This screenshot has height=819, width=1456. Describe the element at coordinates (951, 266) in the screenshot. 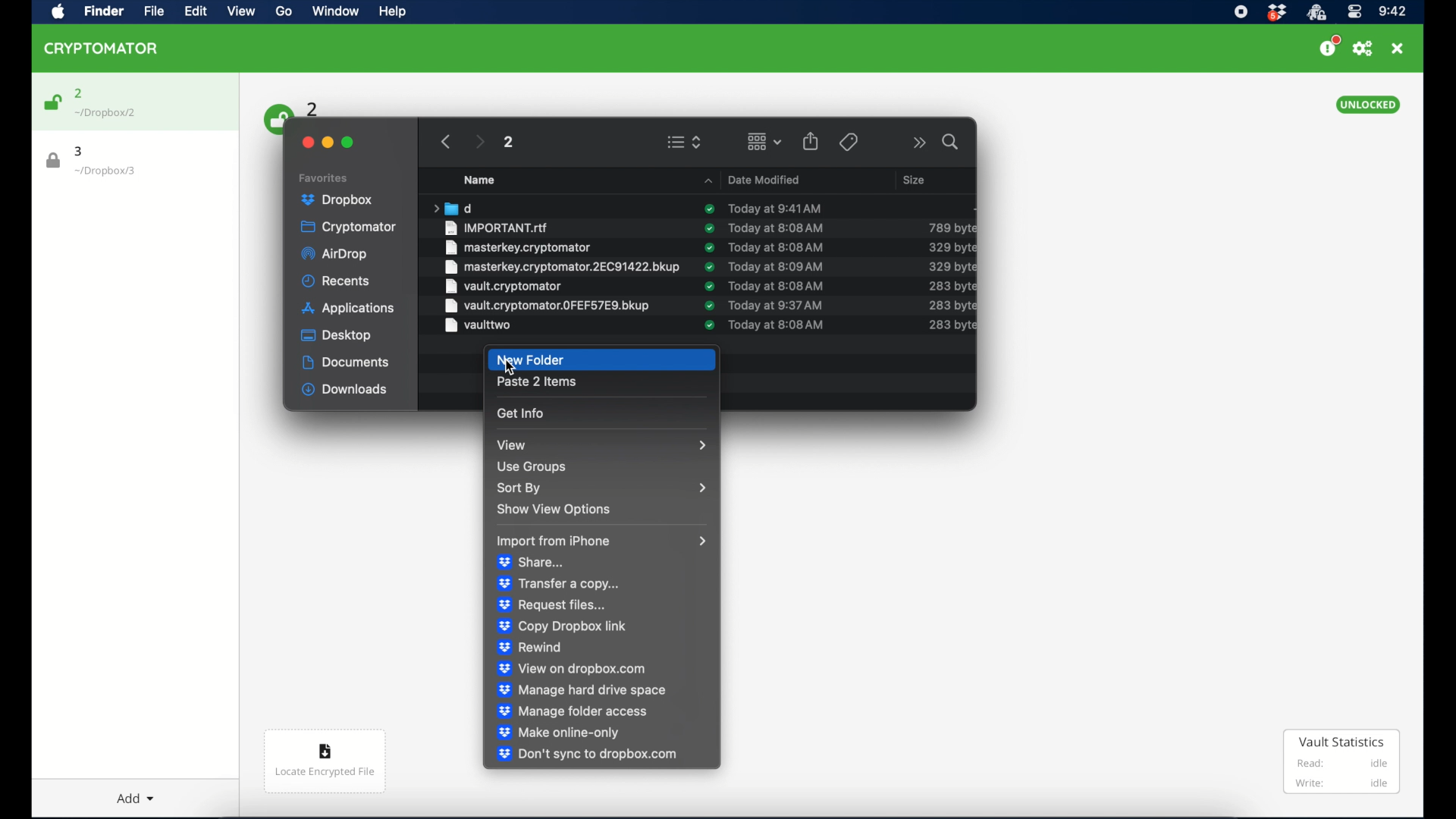

I see `size` at that location.